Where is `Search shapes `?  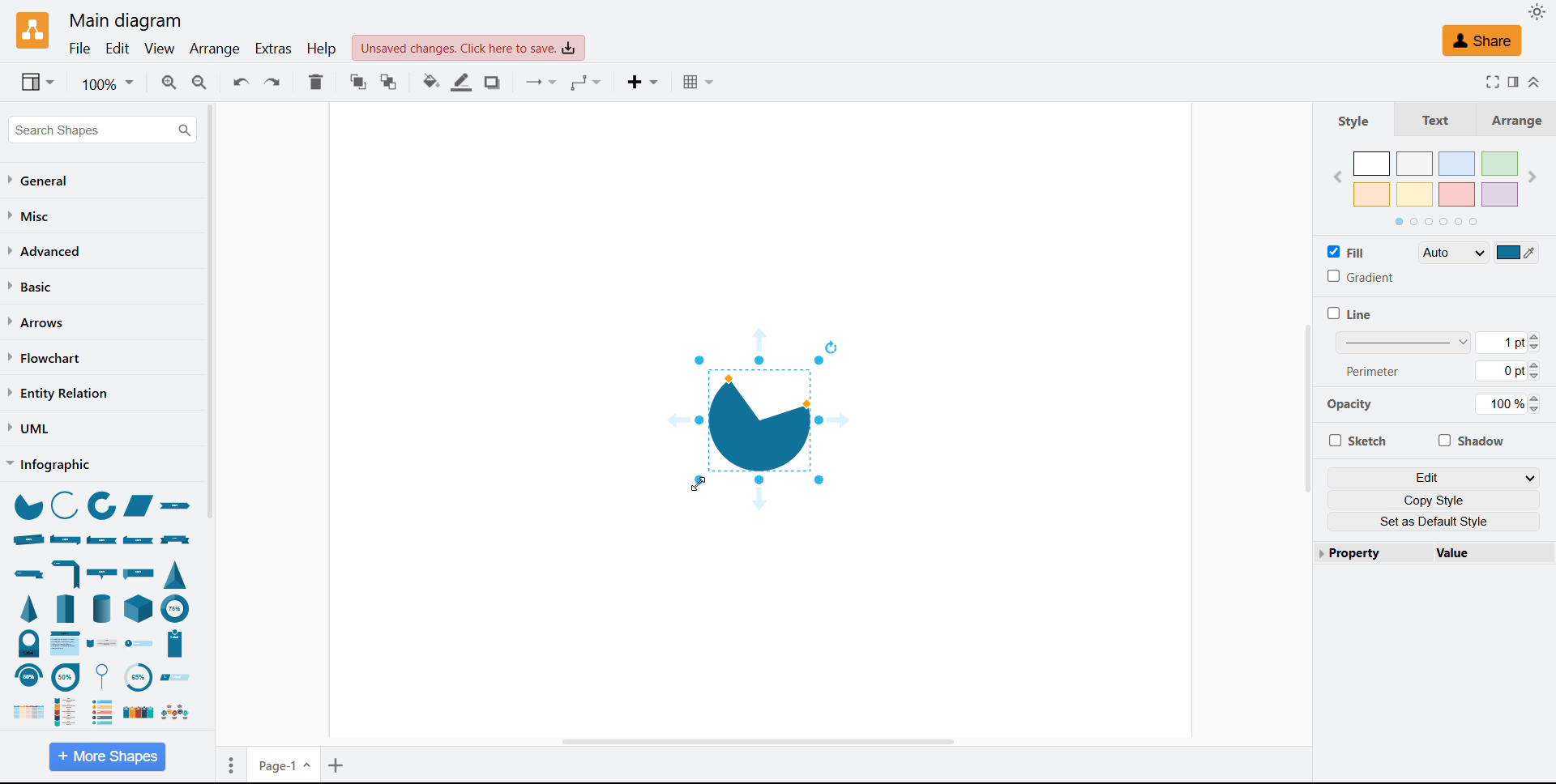
Search shapes  is located at coordinates (102, 130).